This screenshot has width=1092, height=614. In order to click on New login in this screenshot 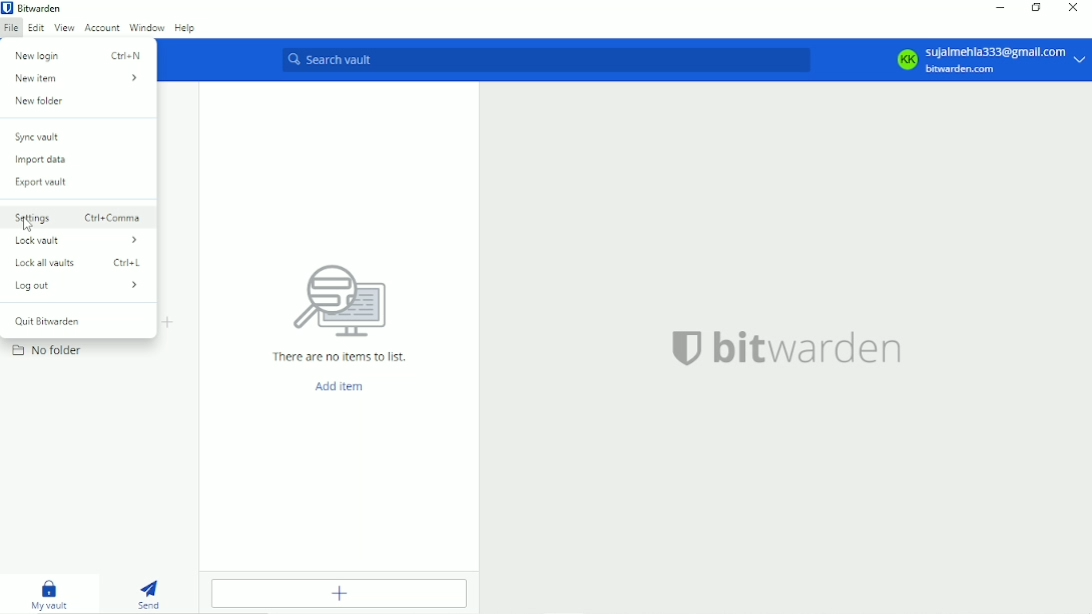, I will do `click(80, 55)`.